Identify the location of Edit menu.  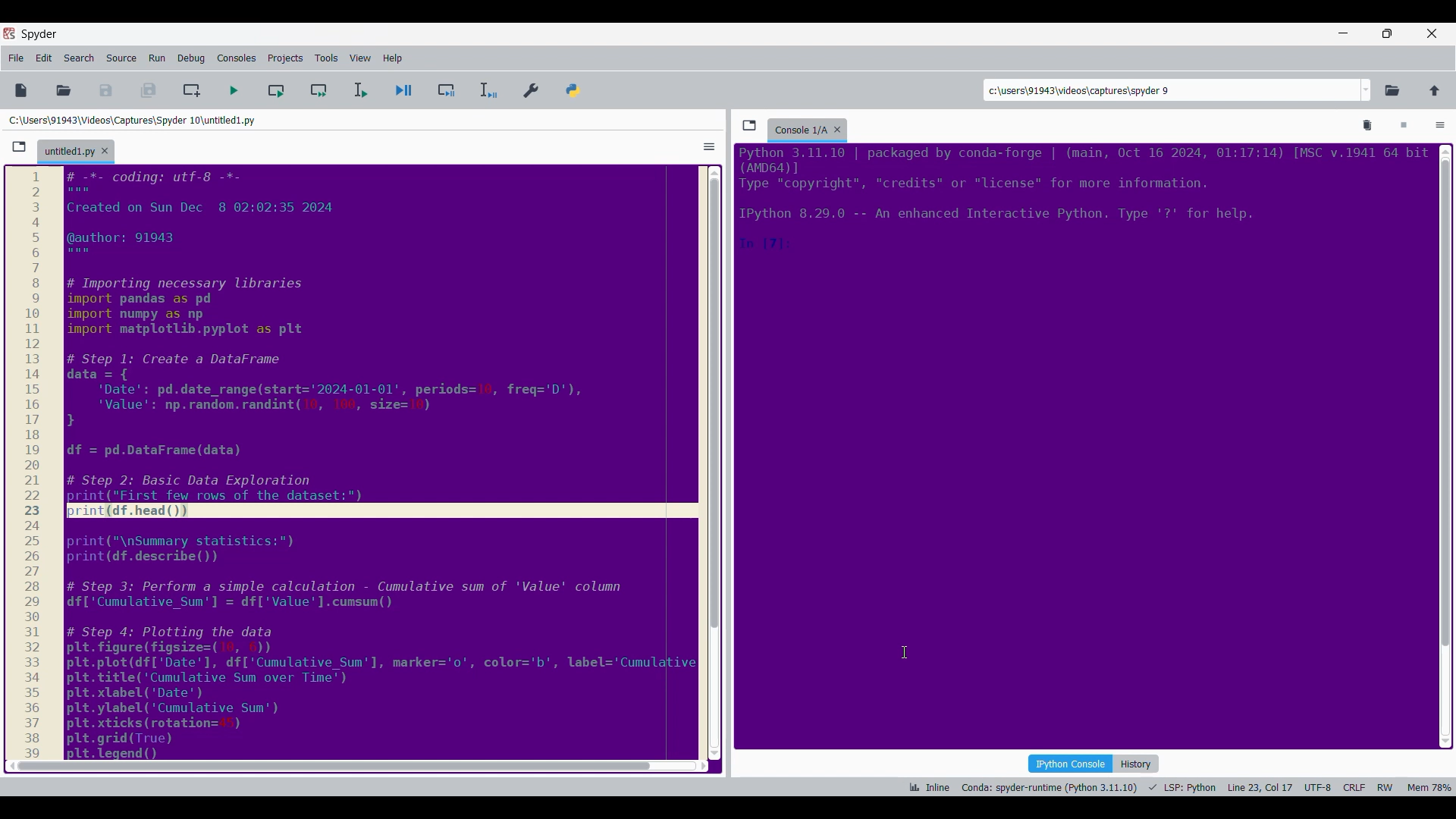
(44, 58).